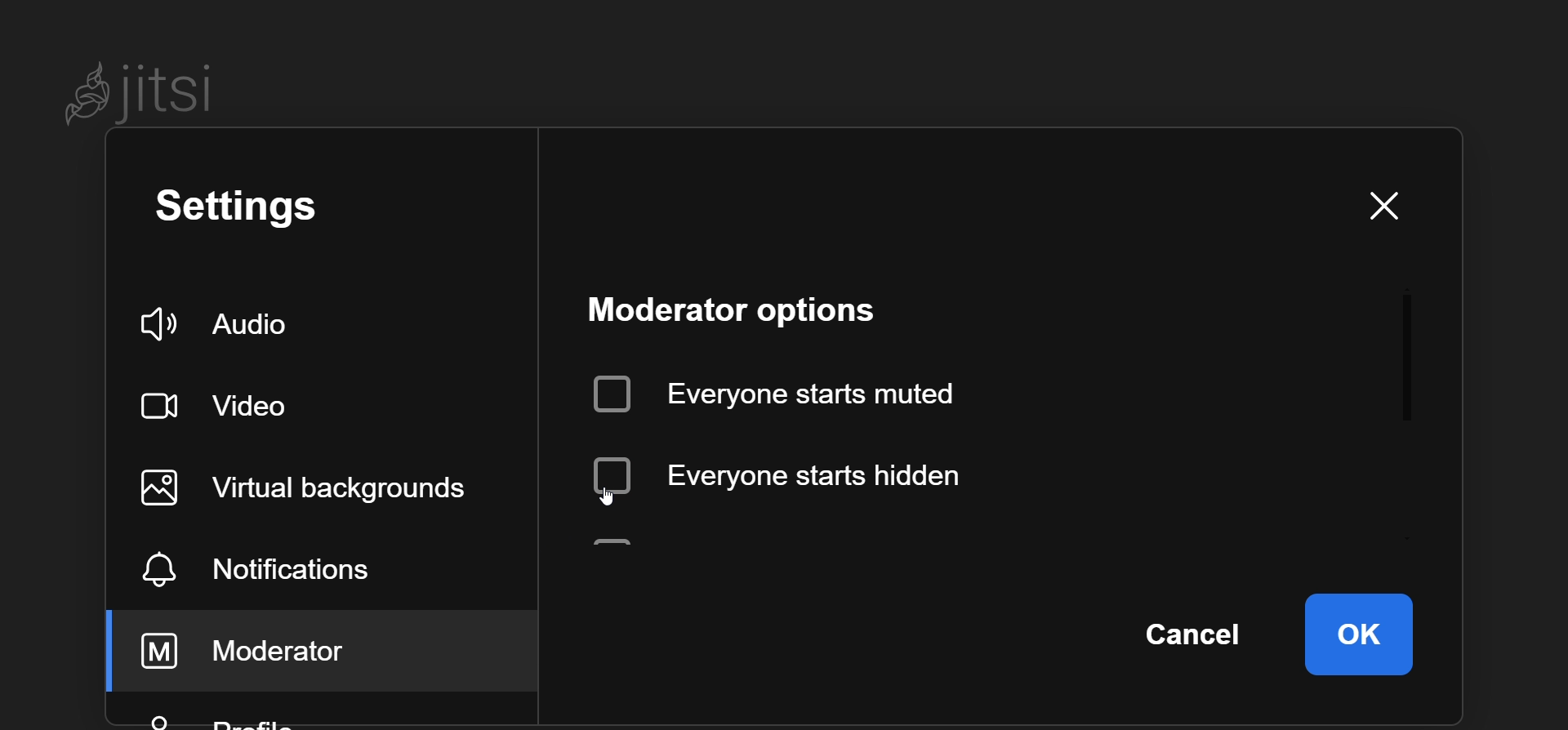 The image size is (1568, 730). Describe the element at coordinates (799, 391) in the screenshot. I see `everyone starts muted` at that location.